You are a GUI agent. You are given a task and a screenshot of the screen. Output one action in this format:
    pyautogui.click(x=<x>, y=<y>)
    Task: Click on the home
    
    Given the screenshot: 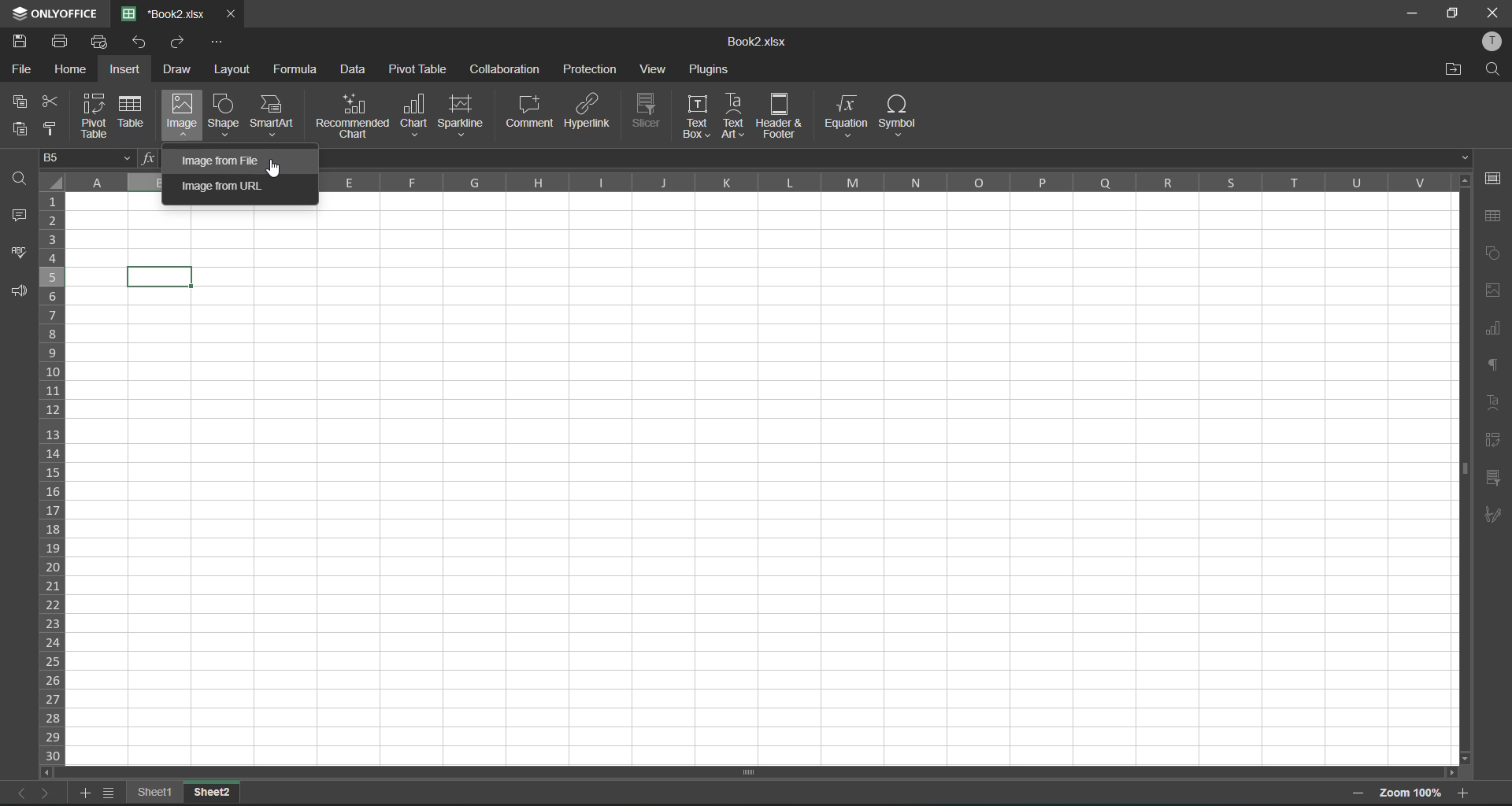 What is the action you would take?
    pyautogui.click(x=75, y=70)
    